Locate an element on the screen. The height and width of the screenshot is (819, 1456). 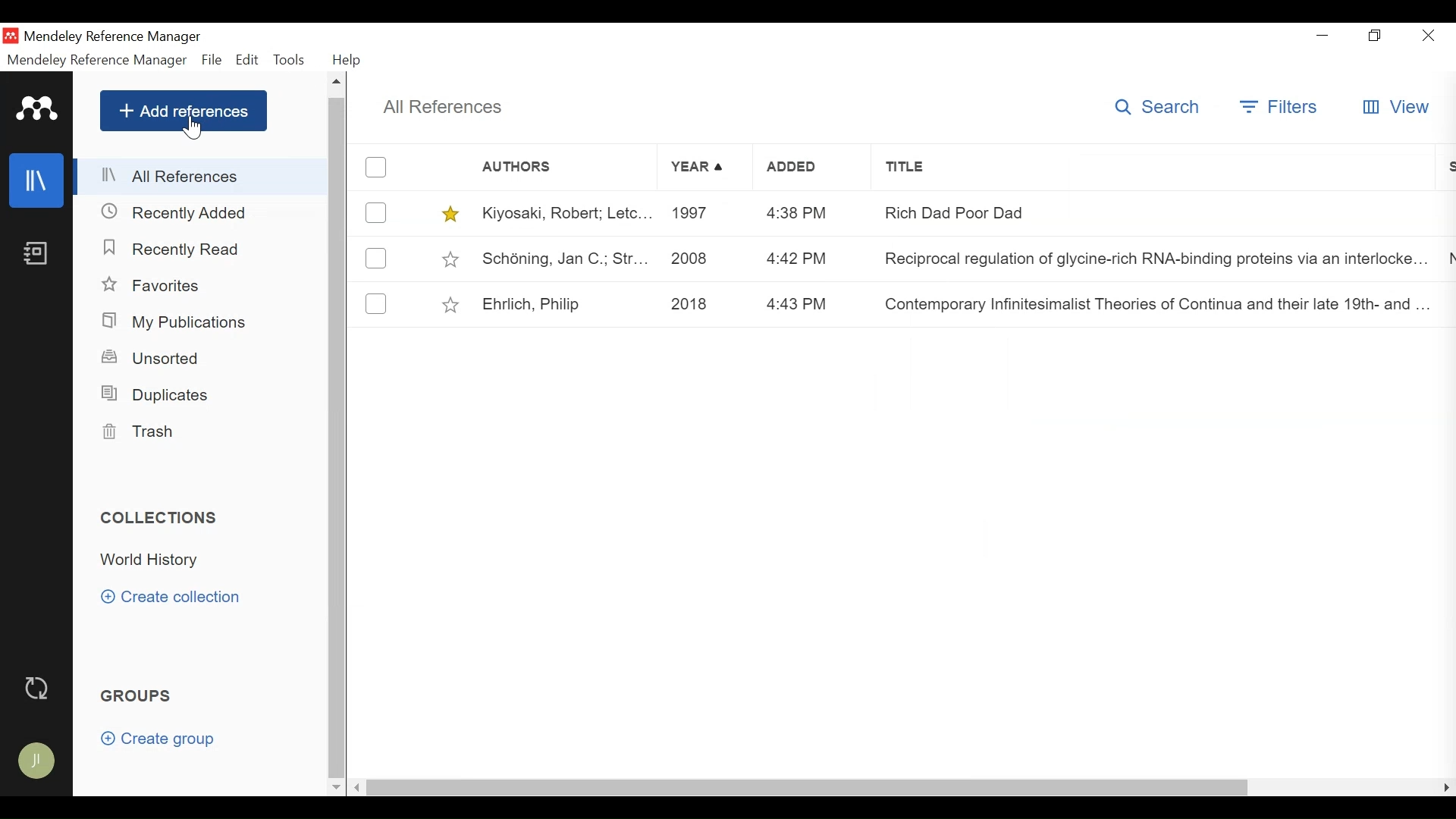
Groups  is located at coordinates (137, 697).